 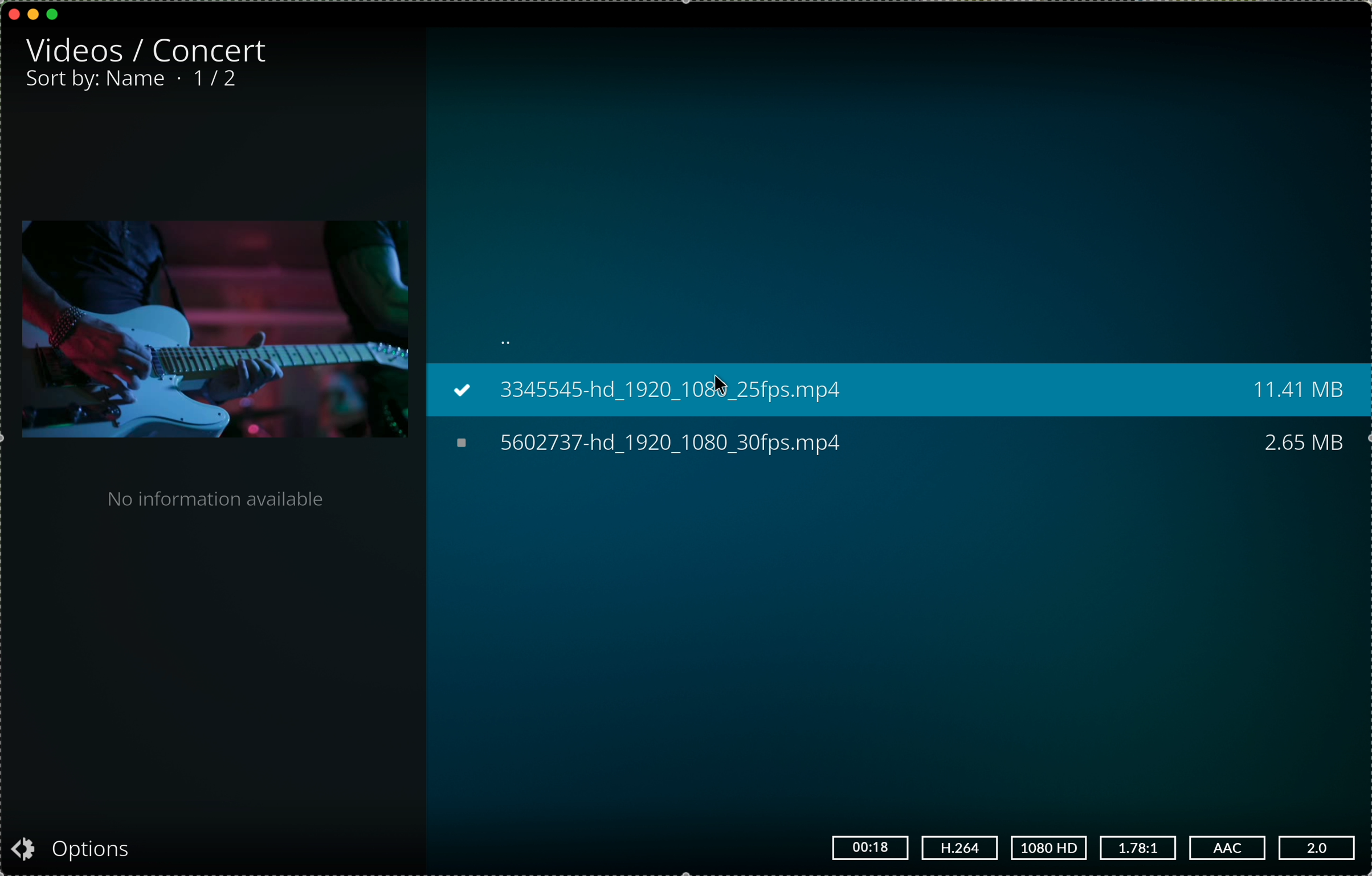 What do you see at coordinates (871, 846) in the screenshot?
I see `00:18` at bounding box center [871, 846].